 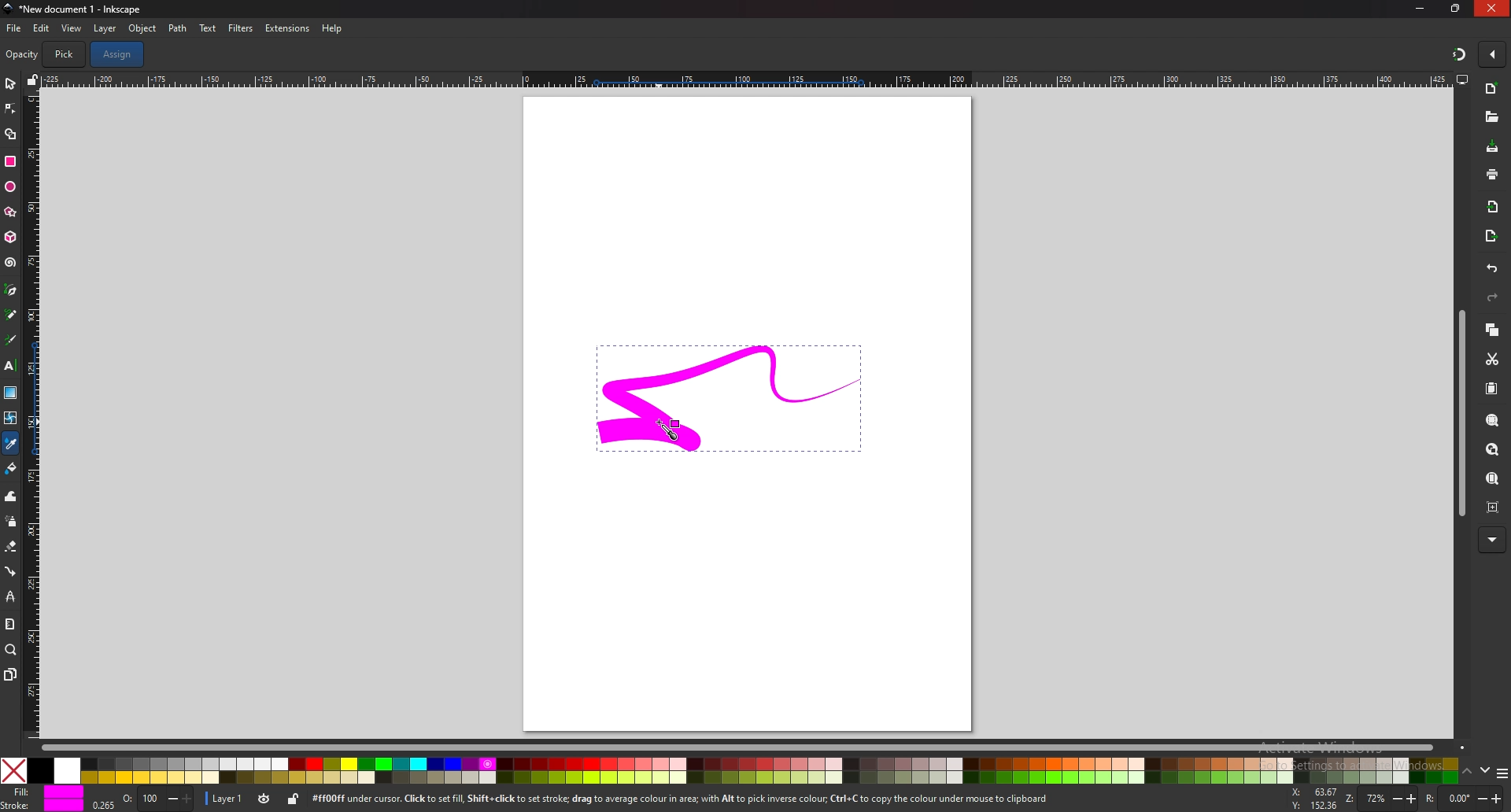 I want to click on scroll bar, so click(x=1462, y=415).